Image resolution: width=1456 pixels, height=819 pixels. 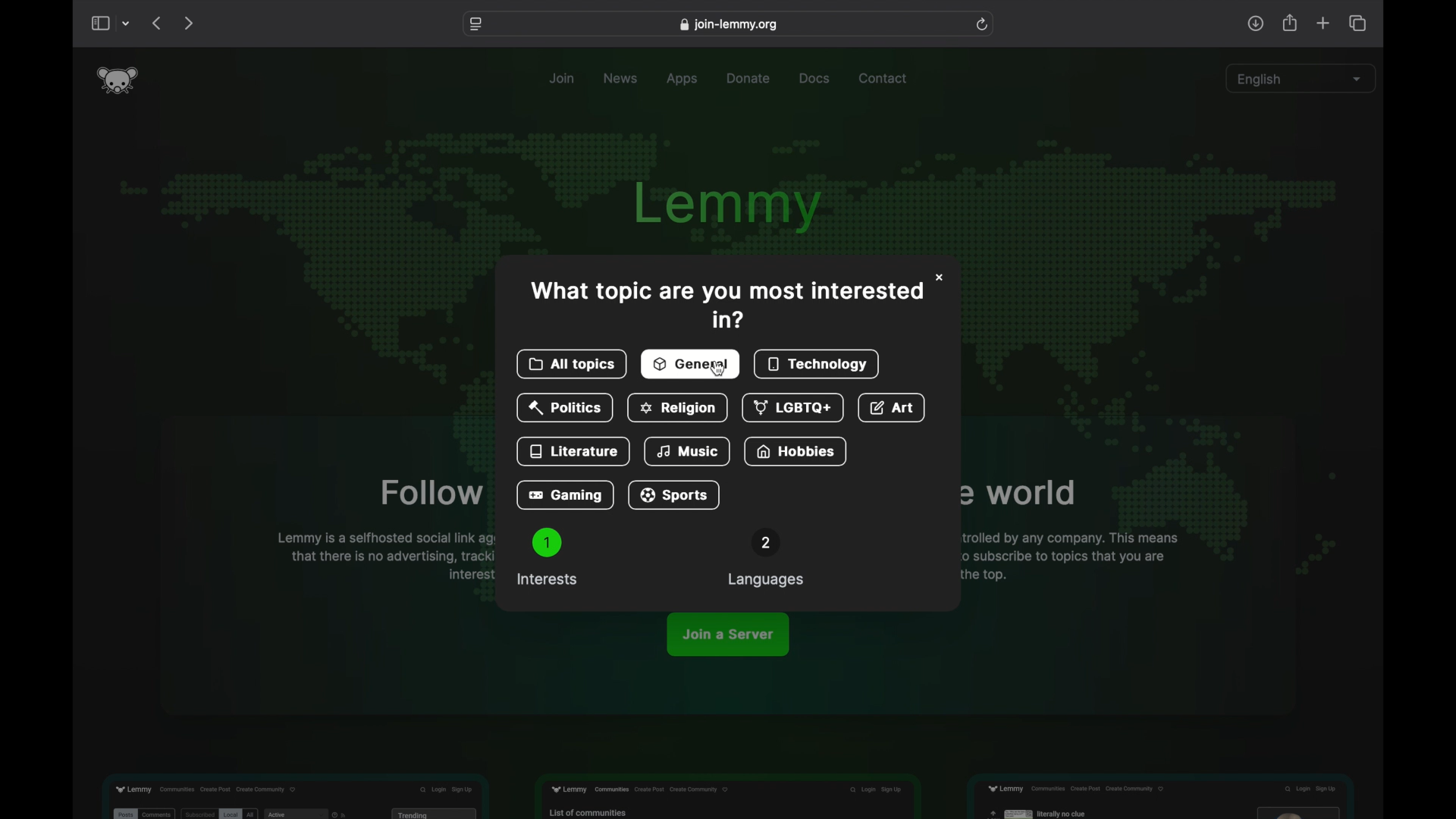 What do you see at coordinates (1069, 555) in the screenshot?
I see `obscure text` at bounding box center [1069, 555].